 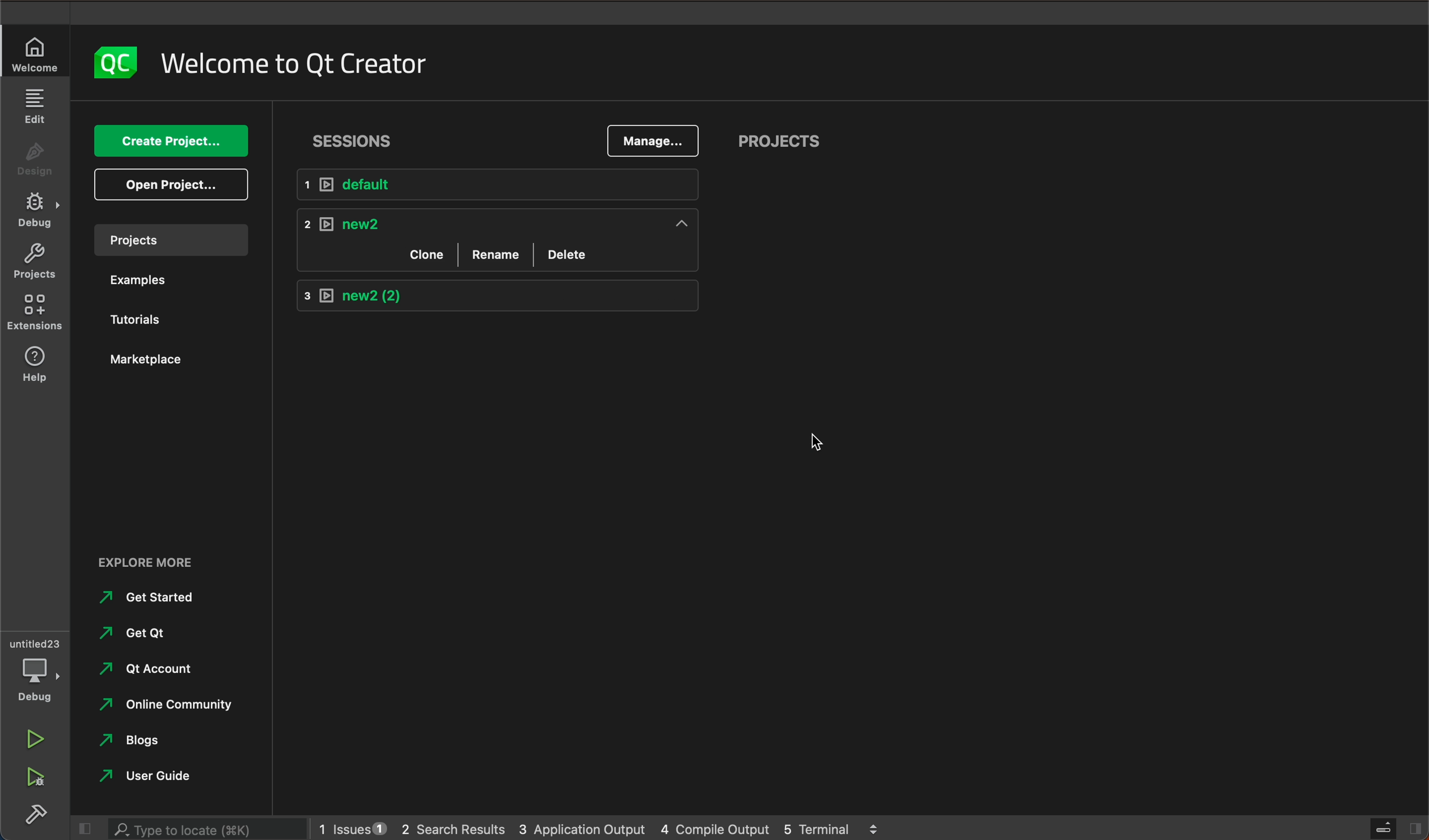 What do you see at coordinates (834, 826) in the screenshot?
I see `terminal` at bounding box center [834, 826].